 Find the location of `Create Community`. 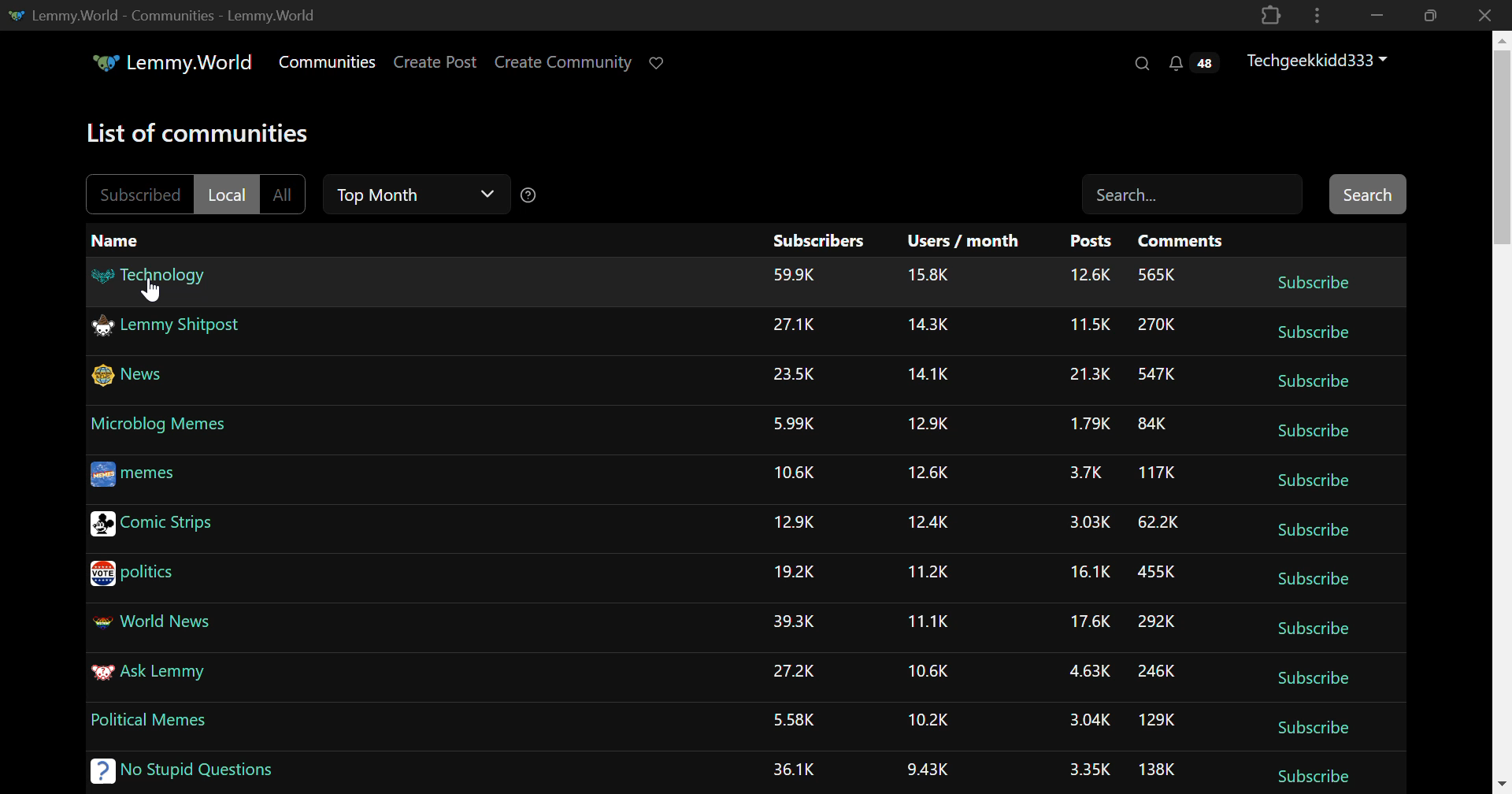

Create Community is located at coordinates (566, 63).